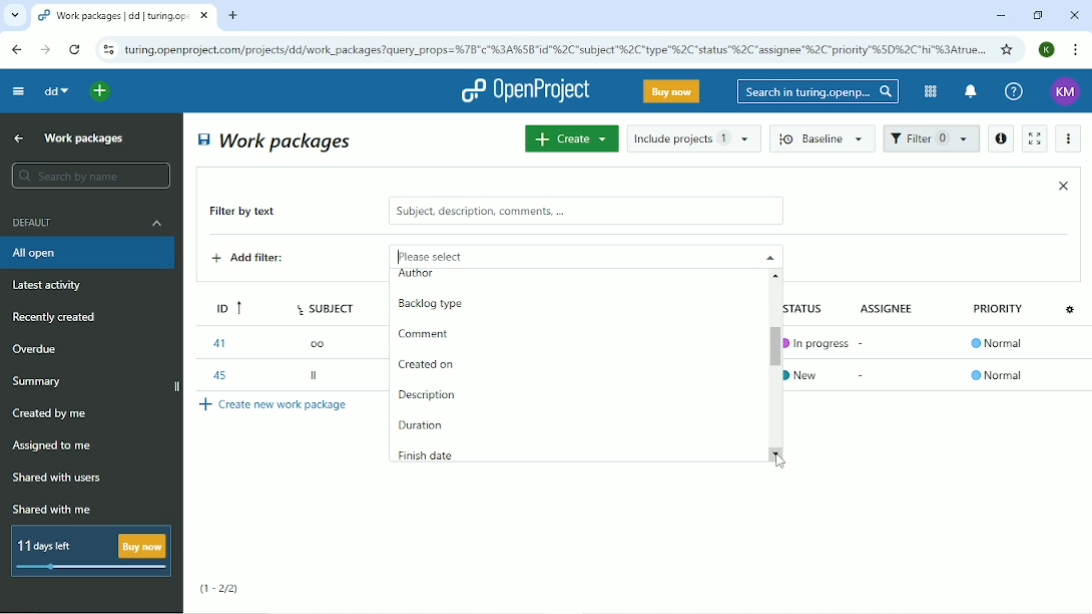 This screenshot has height=614, width=1092. I want to click on Up, so click(16, 139).